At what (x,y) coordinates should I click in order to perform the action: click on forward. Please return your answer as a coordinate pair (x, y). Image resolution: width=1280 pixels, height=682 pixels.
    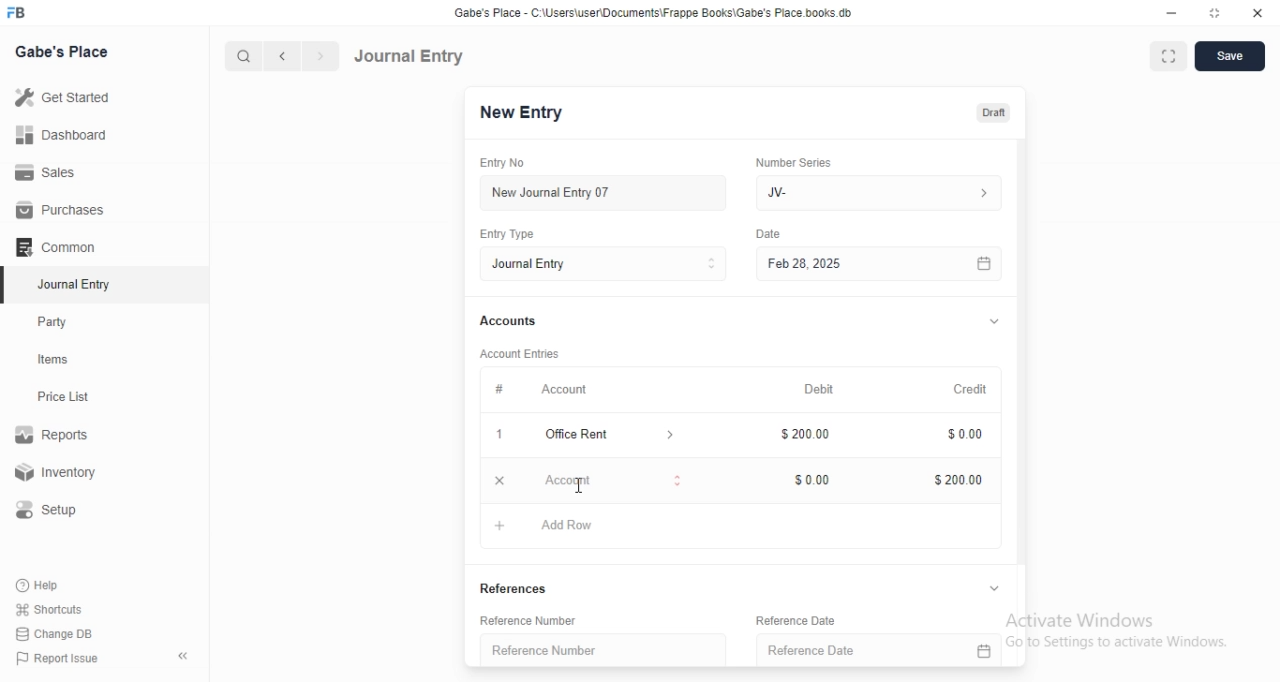
    Looking at the image, I should click on (322, 56).